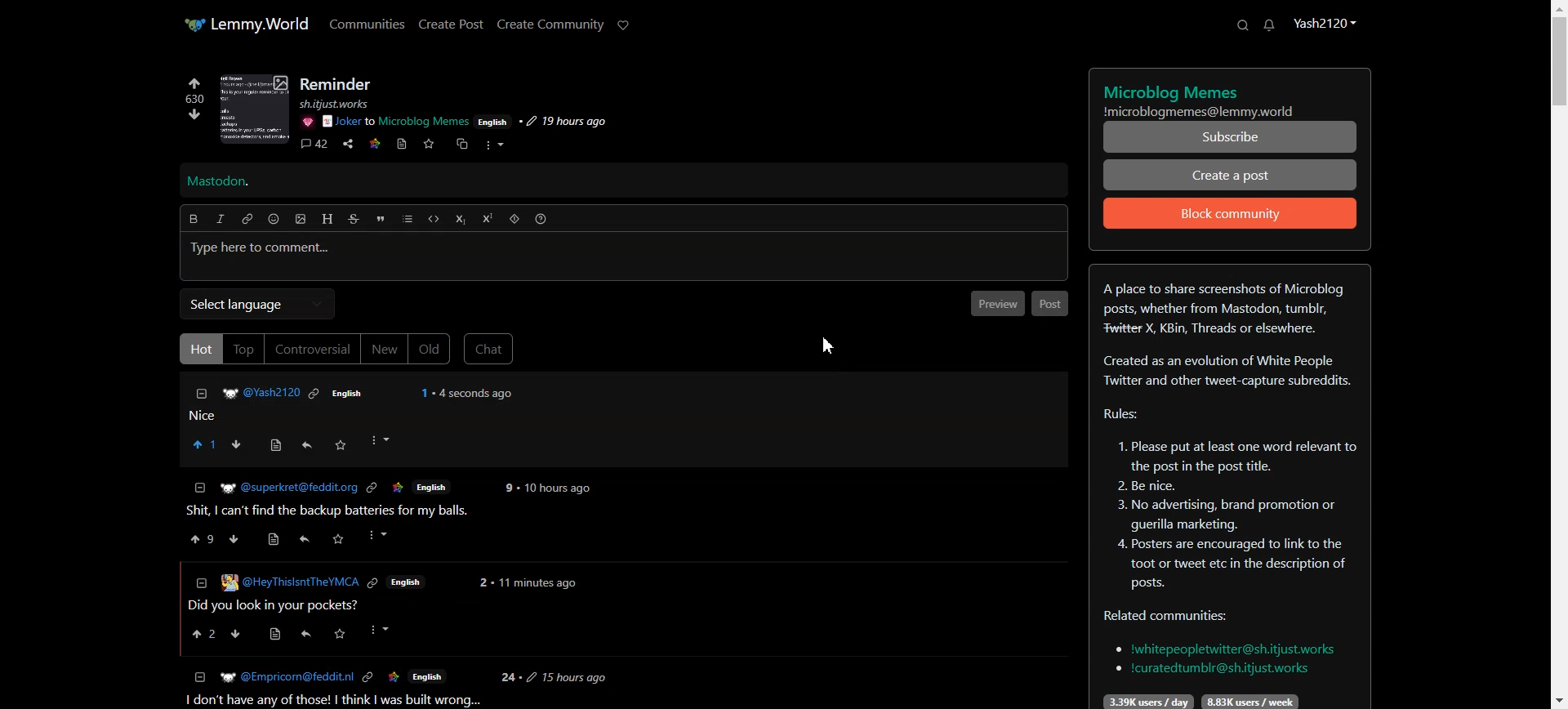 This screenshot has height=709, width=1568. I want to click on » 2, so click(200, 542).